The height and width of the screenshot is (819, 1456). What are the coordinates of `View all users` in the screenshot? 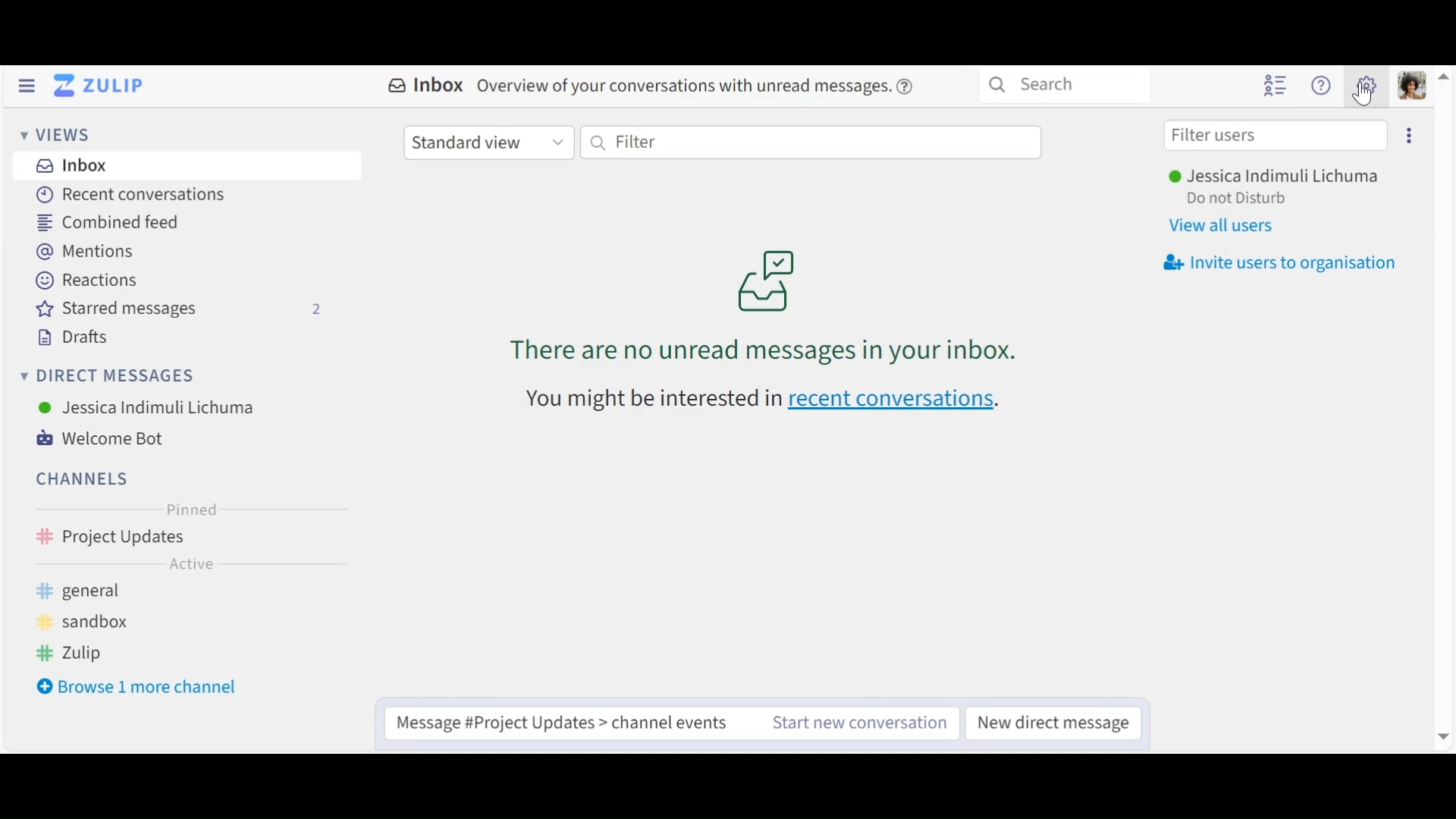 It's located at (1226, 225).